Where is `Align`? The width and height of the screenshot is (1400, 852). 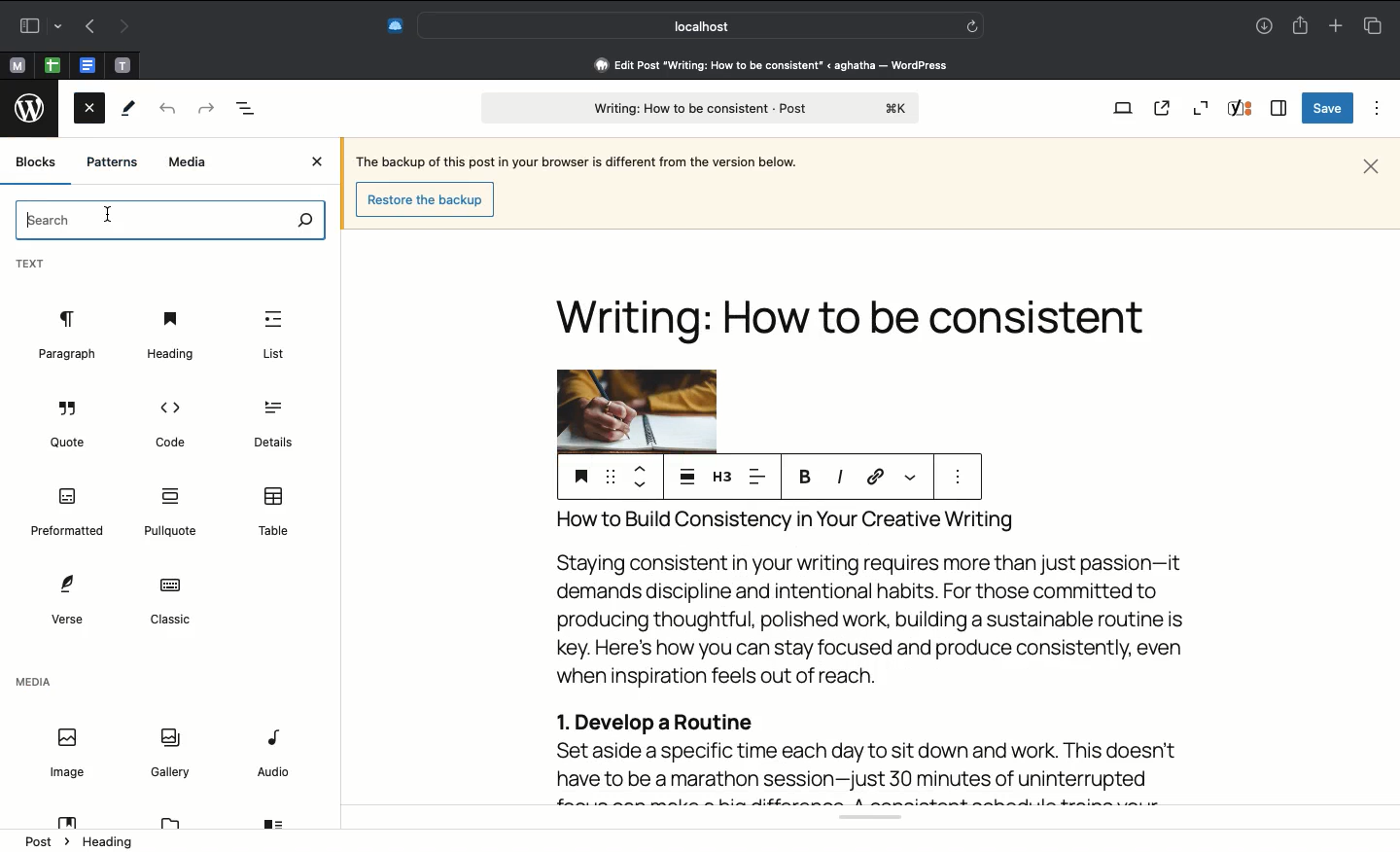
Align is located at coordinates (761, 476).